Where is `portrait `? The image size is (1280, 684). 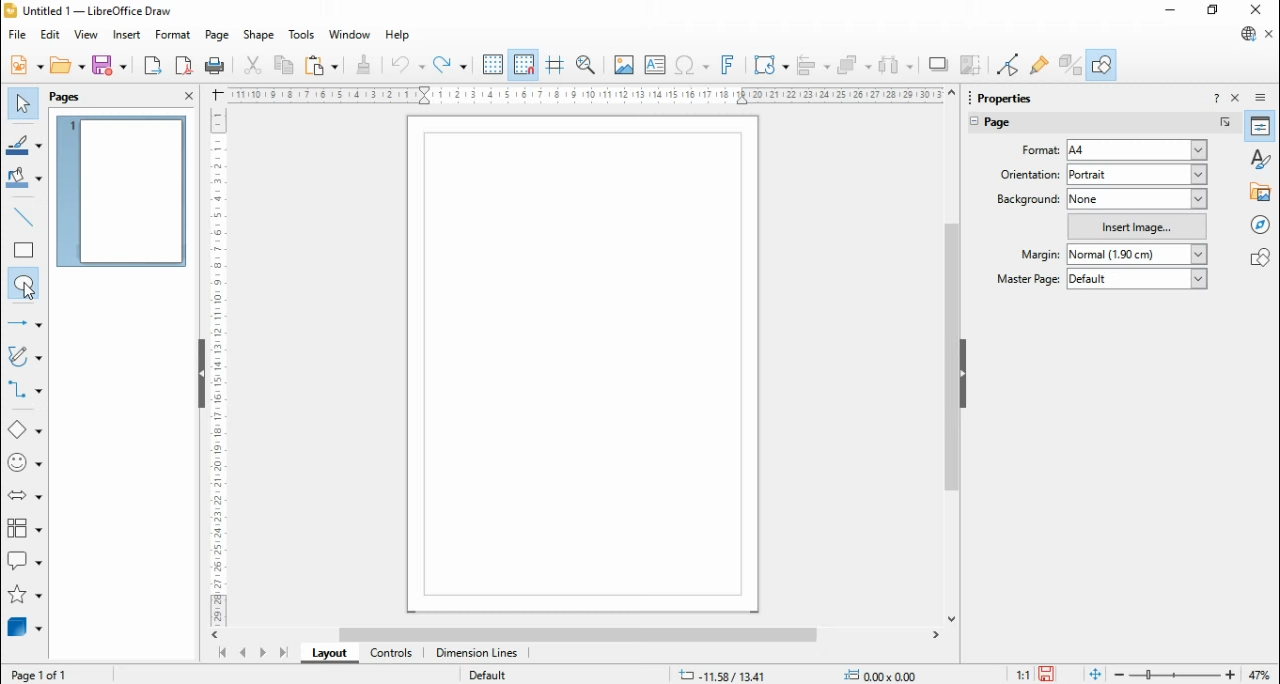 portrait  is located at coordinates (1138, 174).